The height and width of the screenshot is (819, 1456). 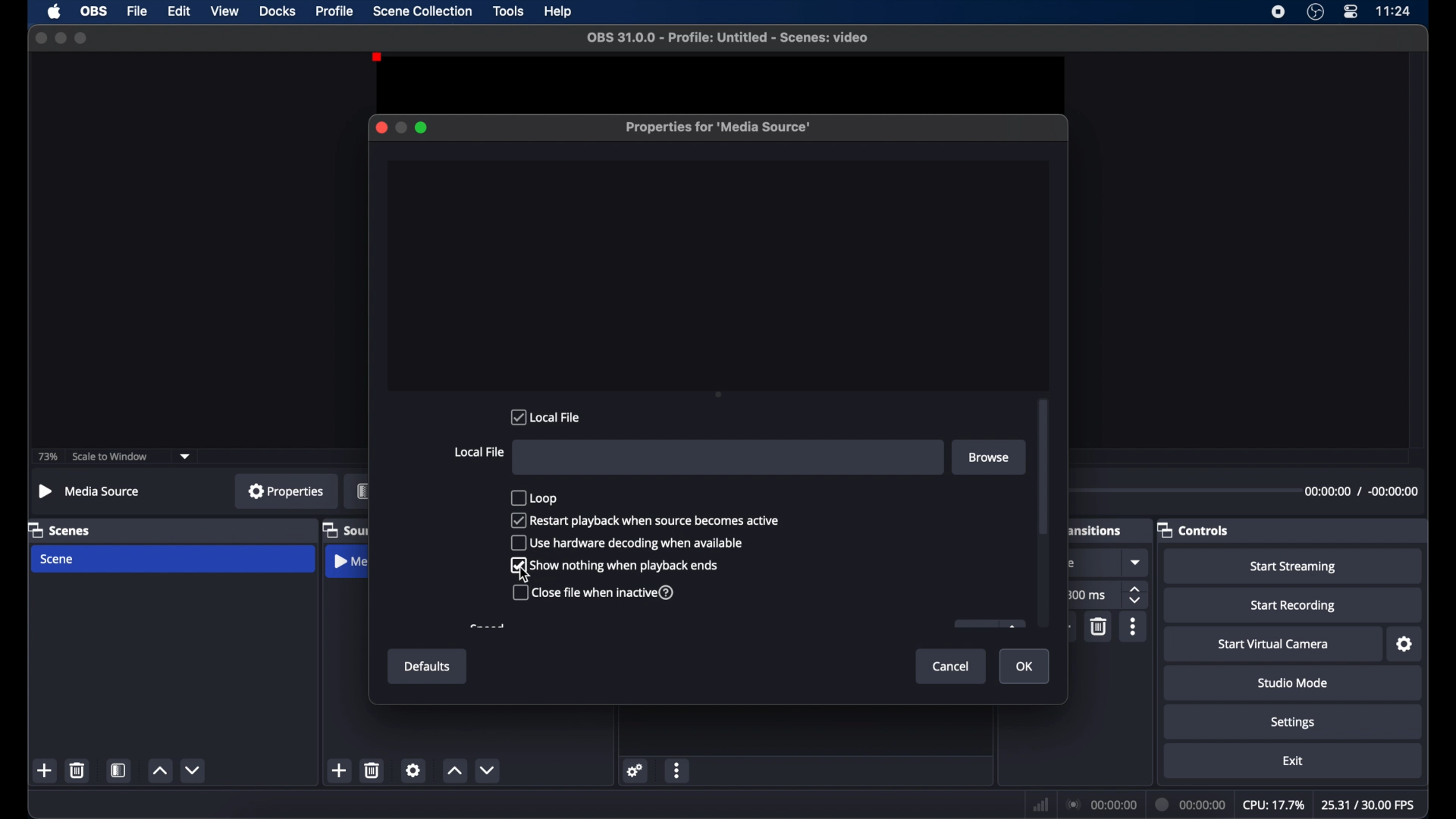 I want to click on scene transitions, so click(x=1097, y=531).